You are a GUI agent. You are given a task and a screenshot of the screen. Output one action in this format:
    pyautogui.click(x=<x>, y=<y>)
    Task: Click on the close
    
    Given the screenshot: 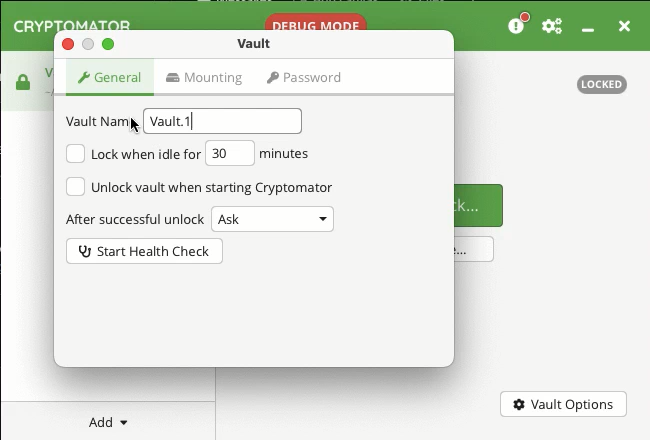 What is the action you would take?
    pyautogui.click(x=625, y=26)
    